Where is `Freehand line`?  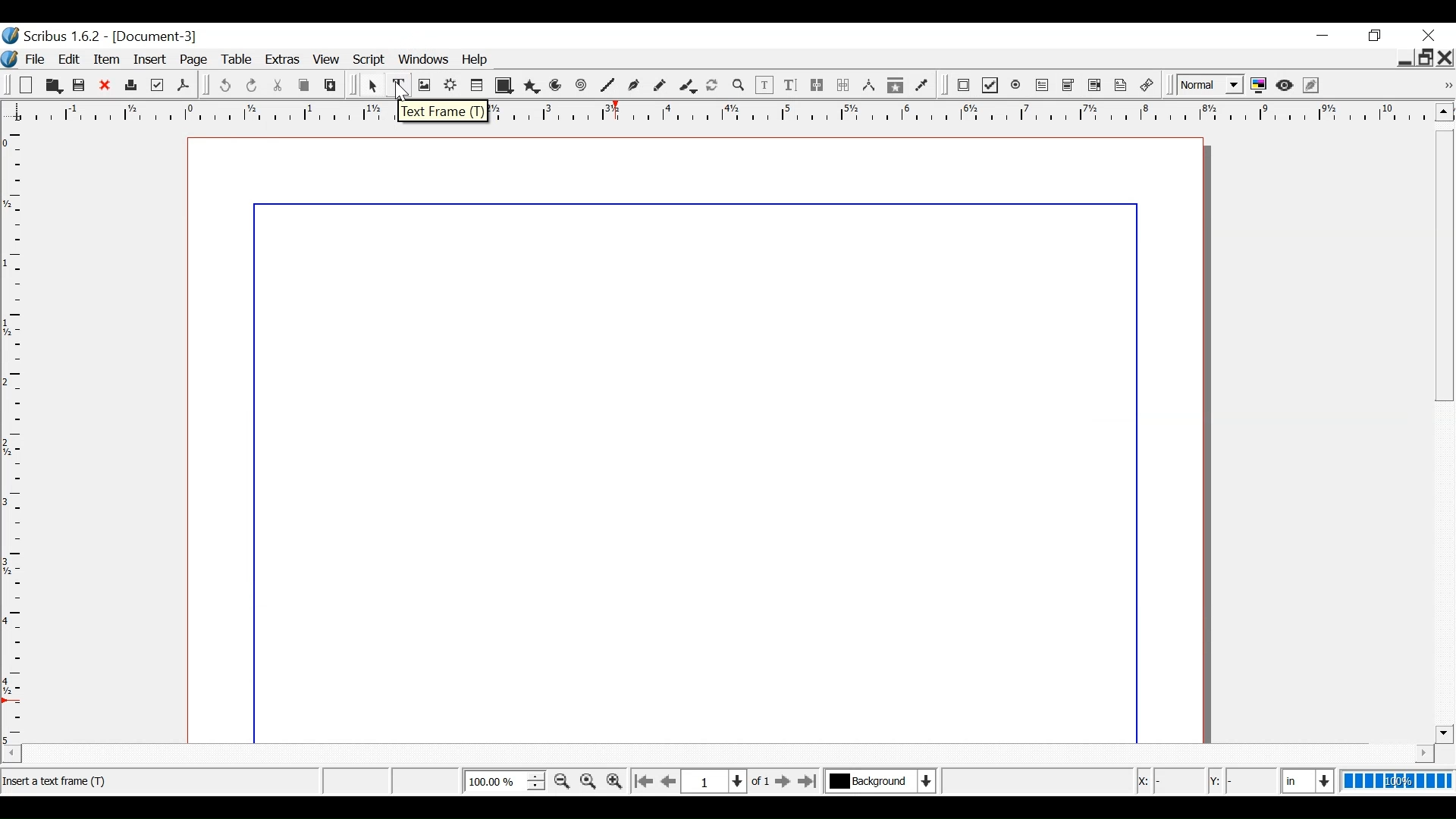 Freehand line is located at coordinates (661, 87).